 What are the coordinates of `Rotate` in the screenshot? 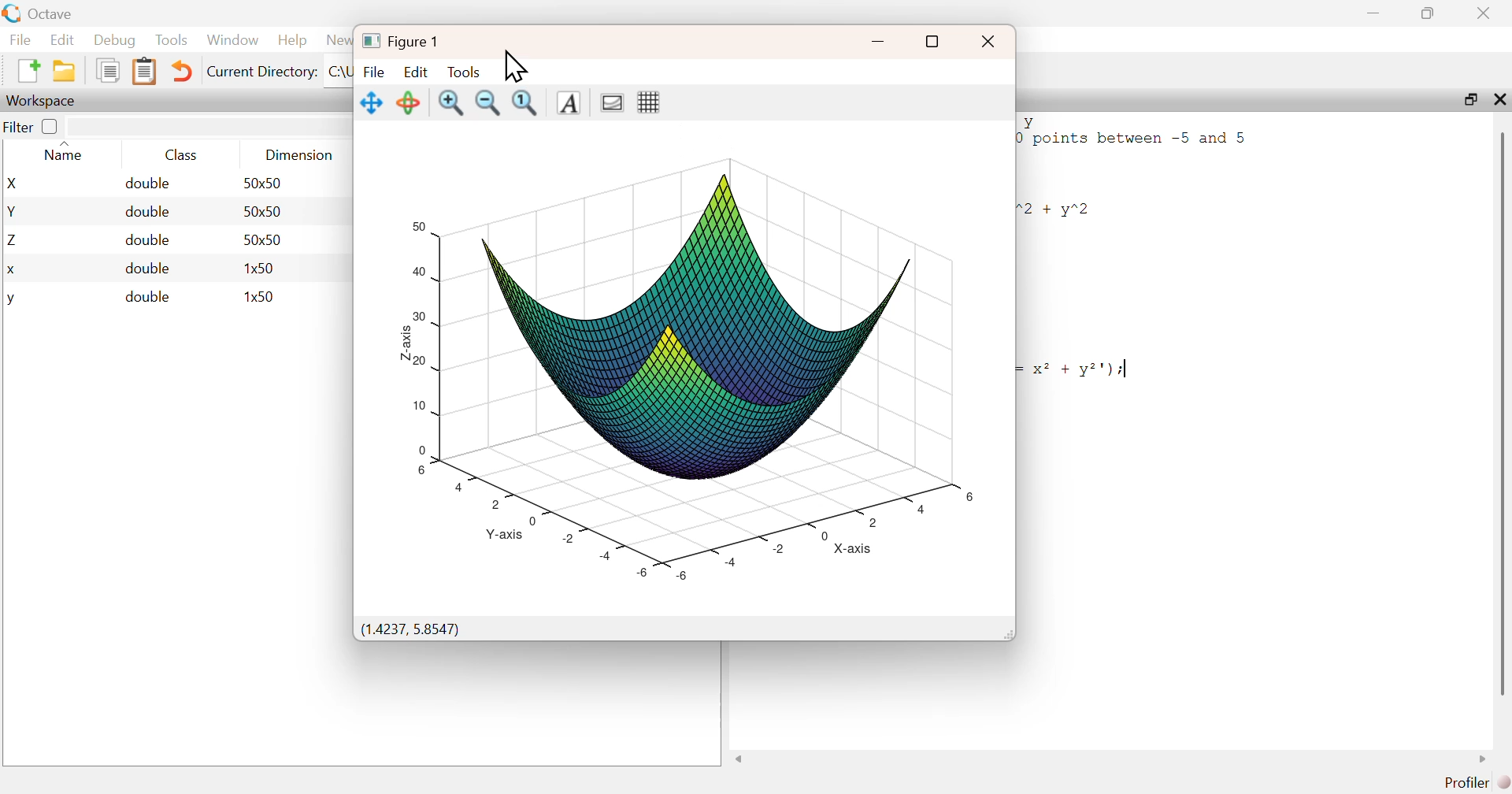 It's located at (407, 102).